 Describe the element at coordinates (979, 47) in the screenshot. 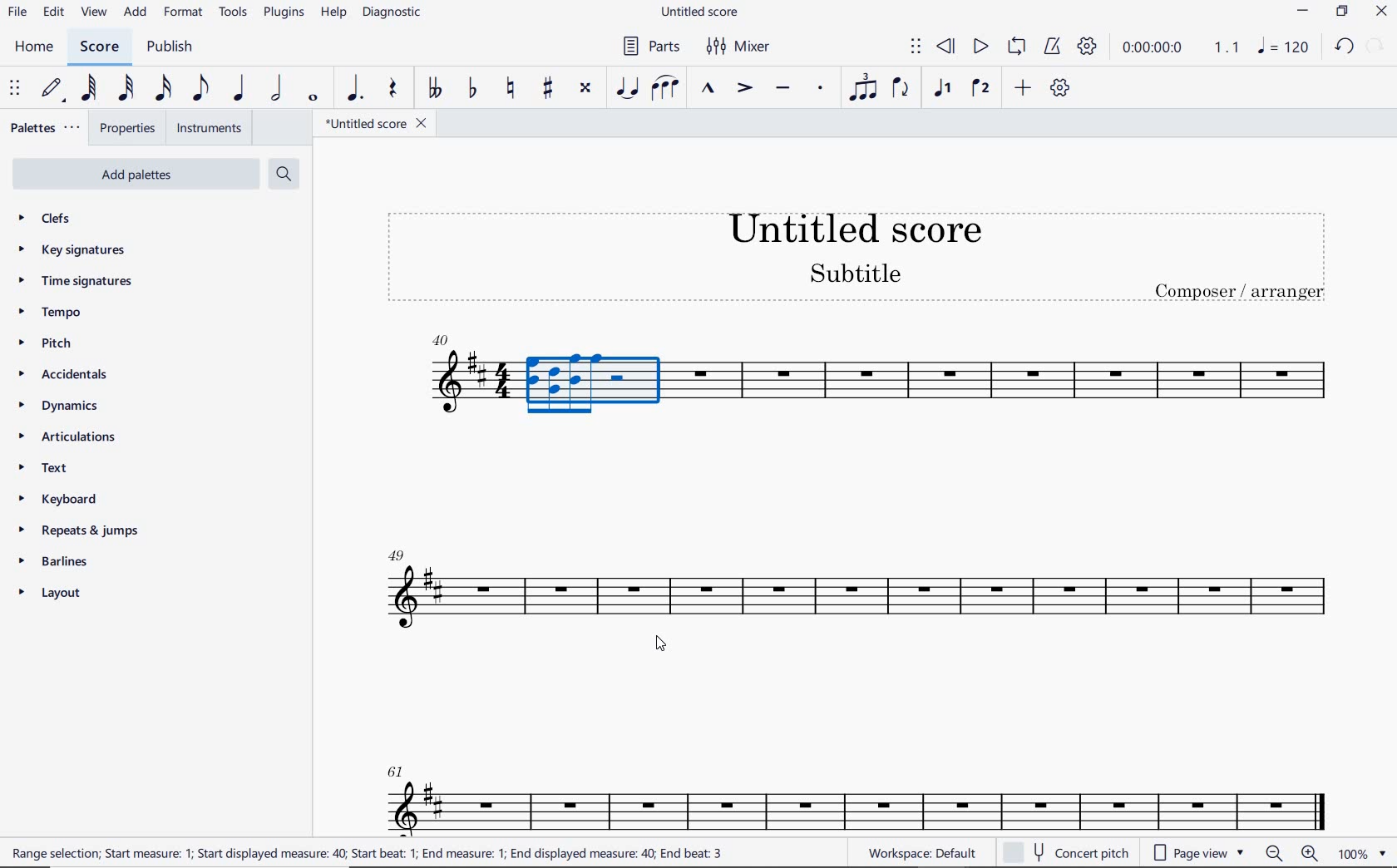

I see `PLAY` at that location.